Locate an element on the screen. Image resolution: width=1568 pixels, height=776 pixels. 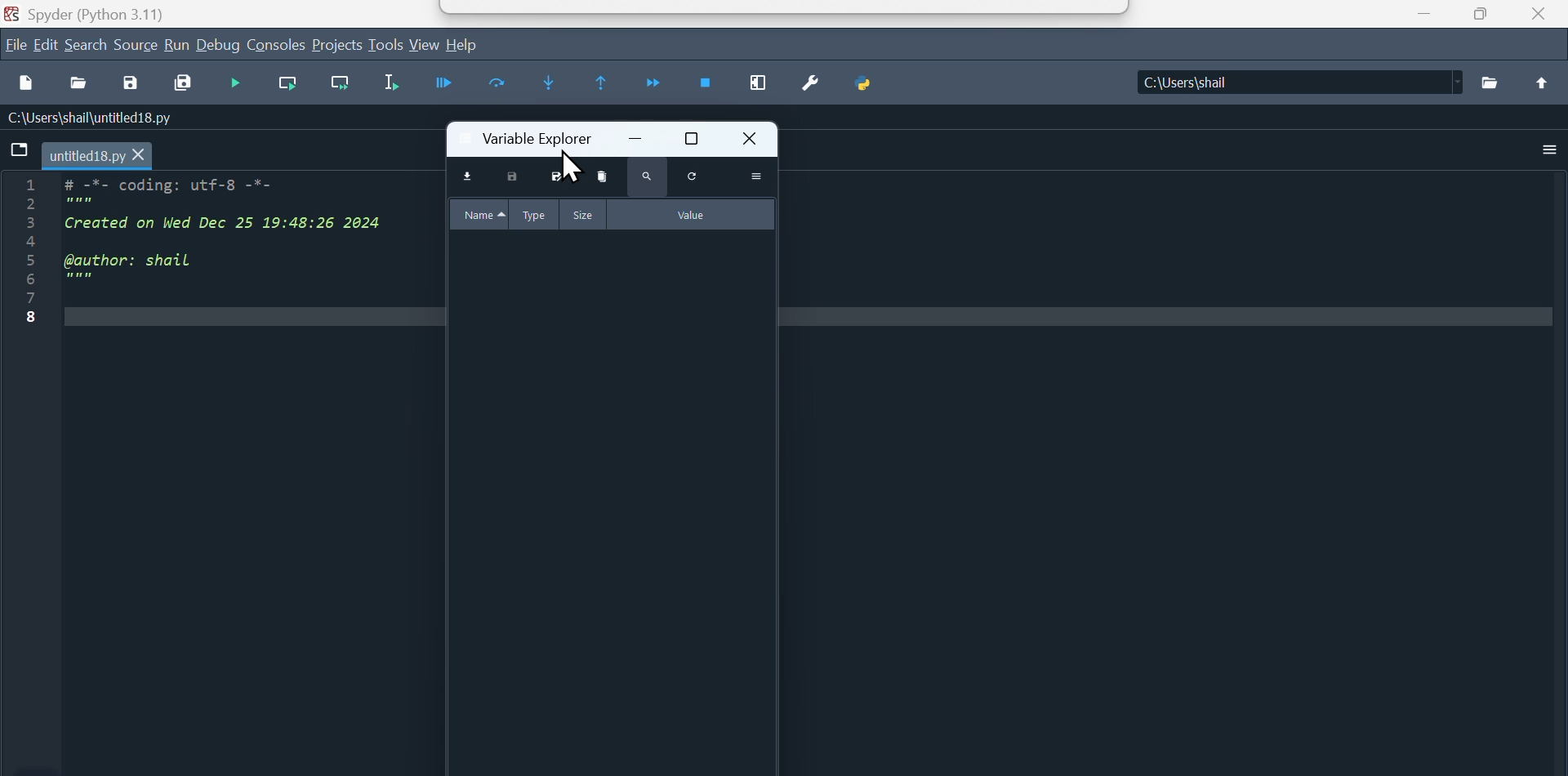
line number is located at coordinates (33, 256).